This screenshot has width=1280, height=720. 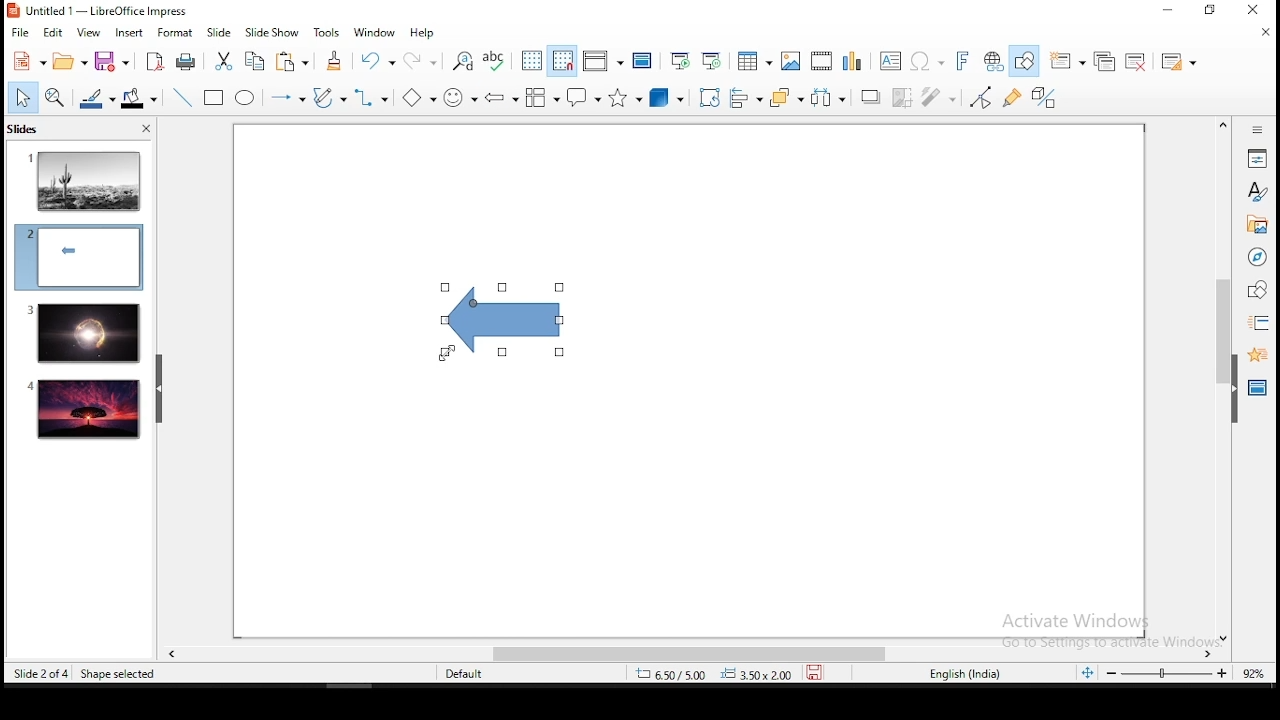 I want to click on rectangle, so click(x=215, y=99).